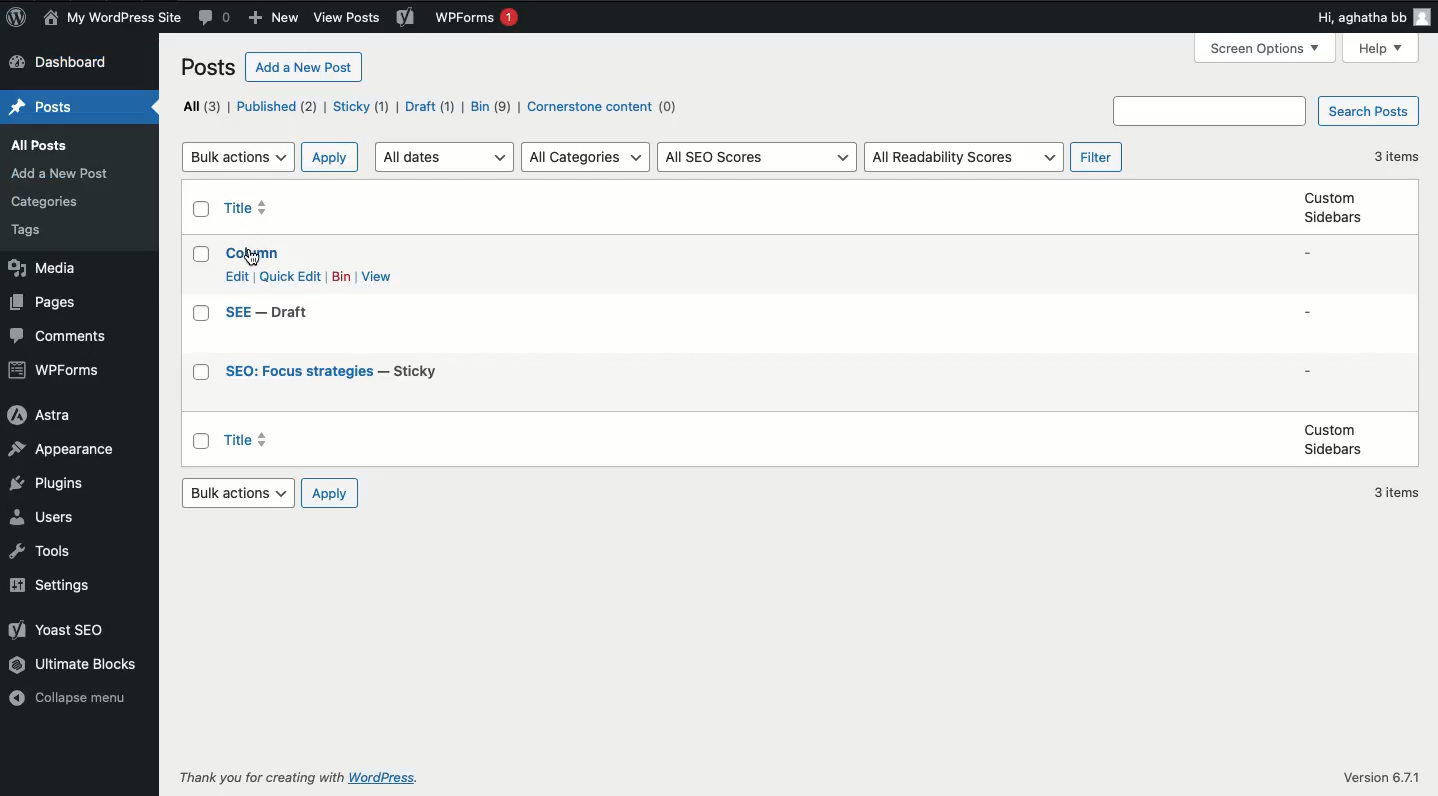 The height and width of the screenshot is (796, 1438). I want to click on Apply, so click(330, 495).